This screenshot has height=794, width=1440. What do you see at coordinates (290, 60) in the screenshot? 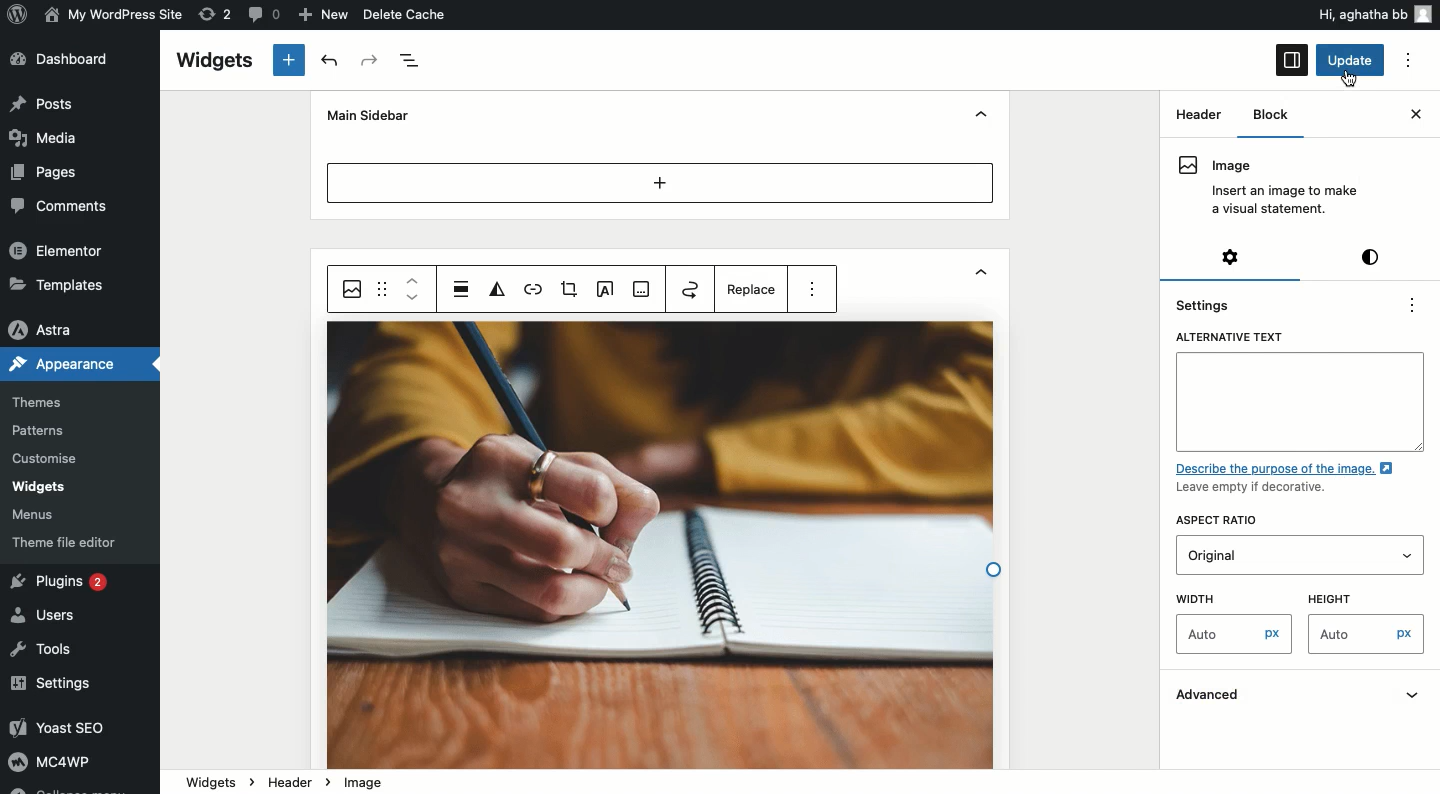
I see `New block` at bounding box center [290, 60].